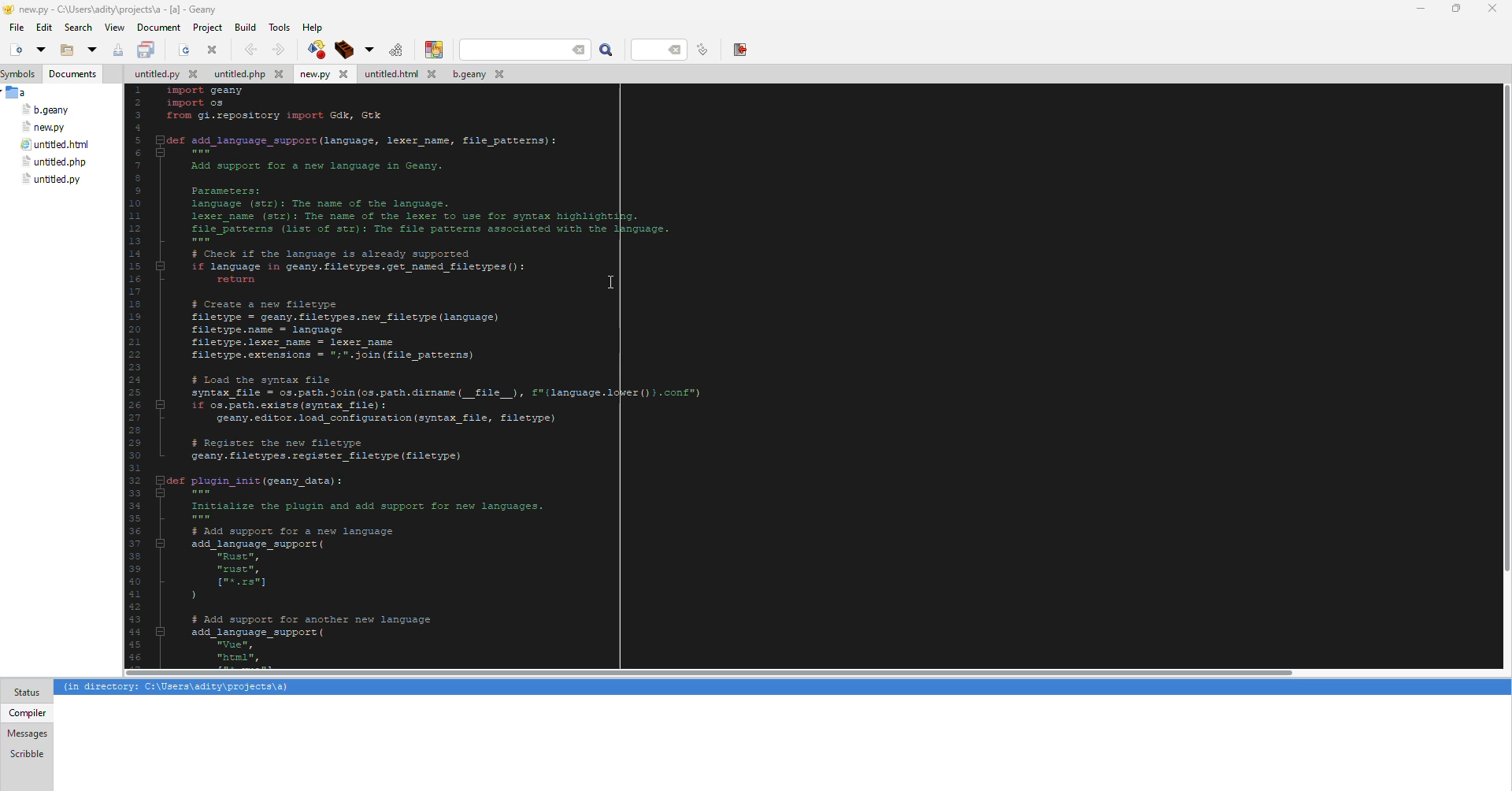  I want to click on back, so click(250, 50).